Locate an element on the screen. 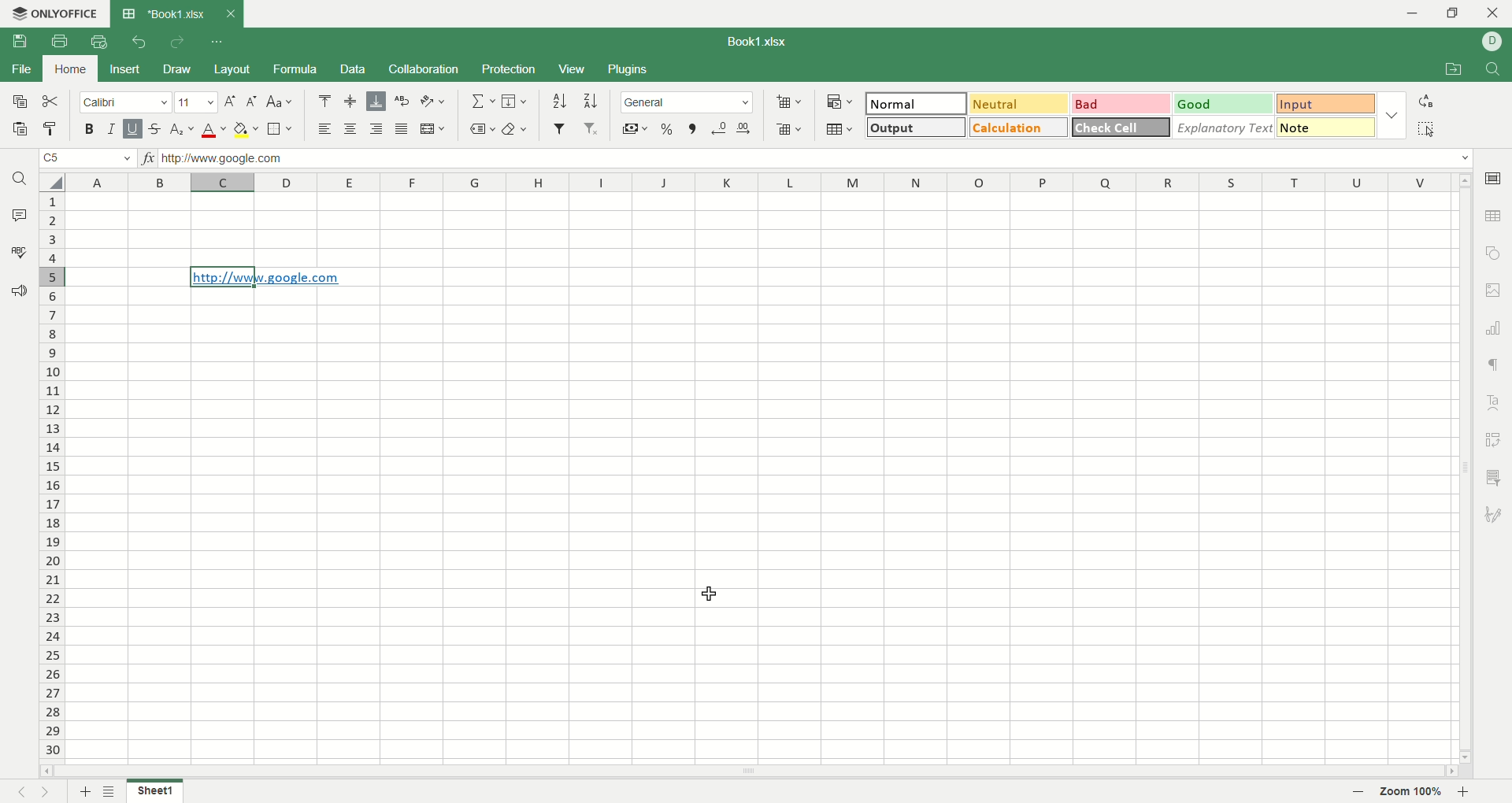 This screenshot has height=803, width=1512. align center is located at coordinates (354, 130).